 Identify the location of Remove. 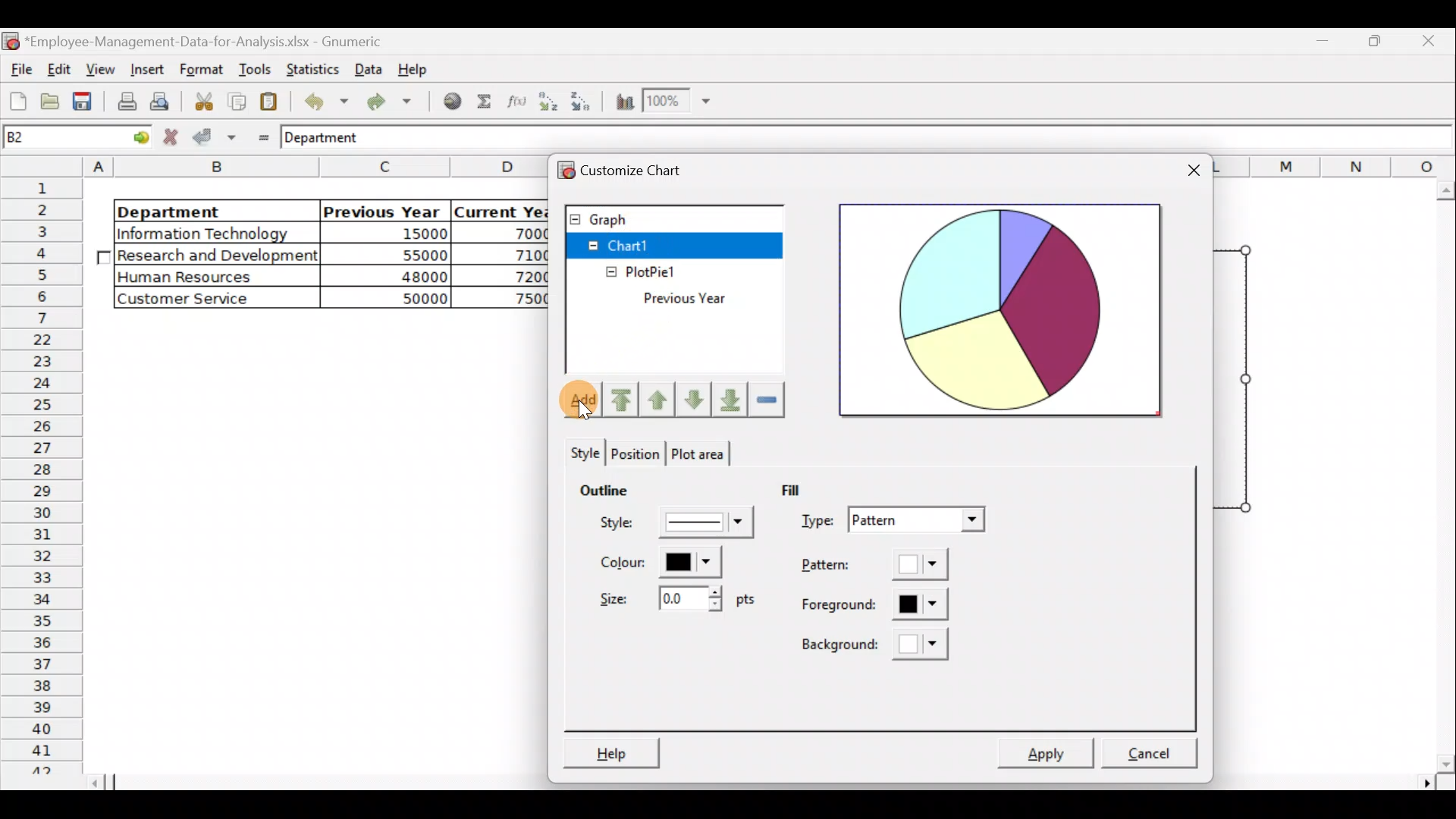
(766, 400).